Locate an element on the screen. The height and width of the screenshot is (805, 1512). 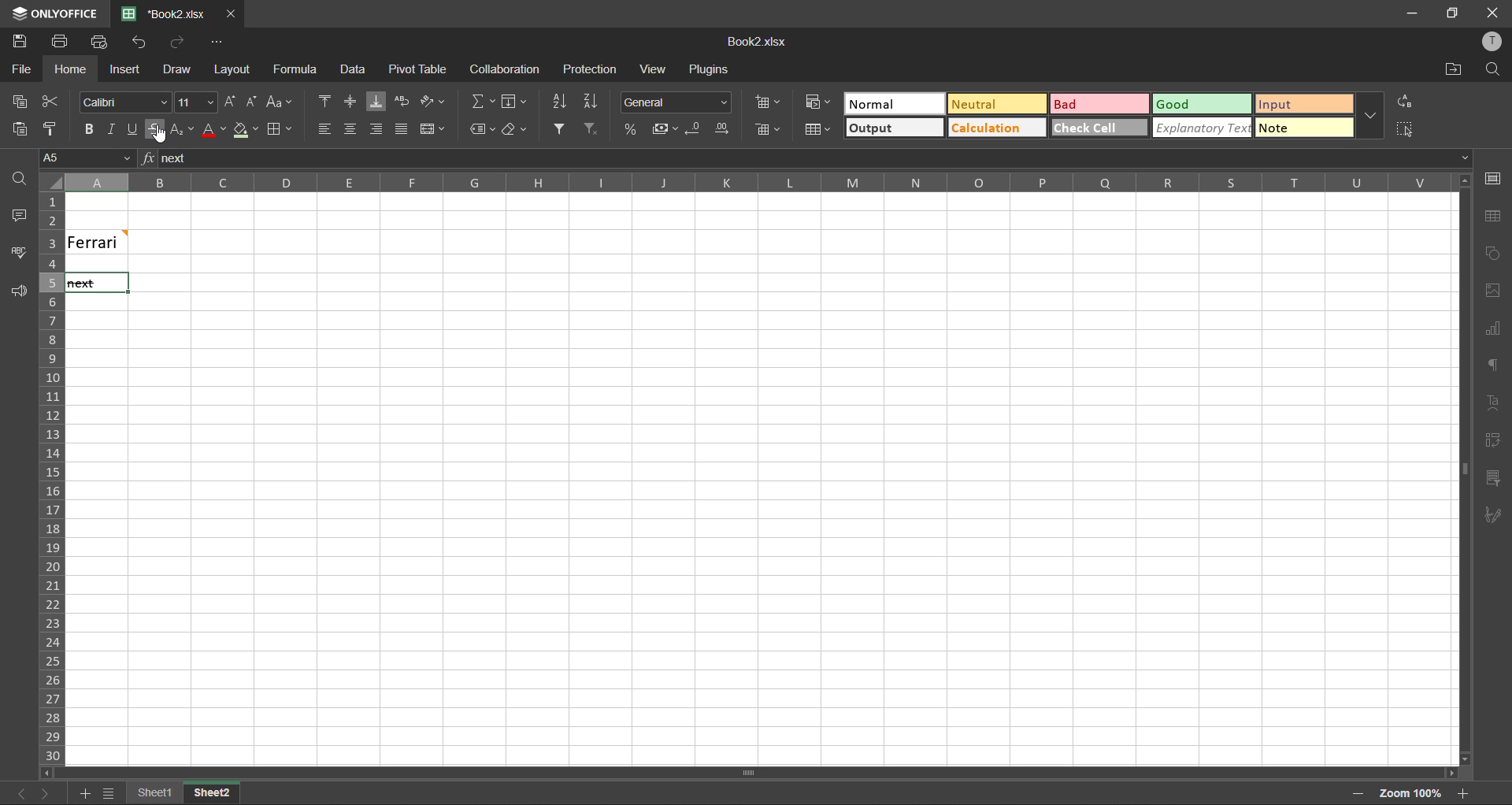
check cell is located at coordinates (1101, 128).